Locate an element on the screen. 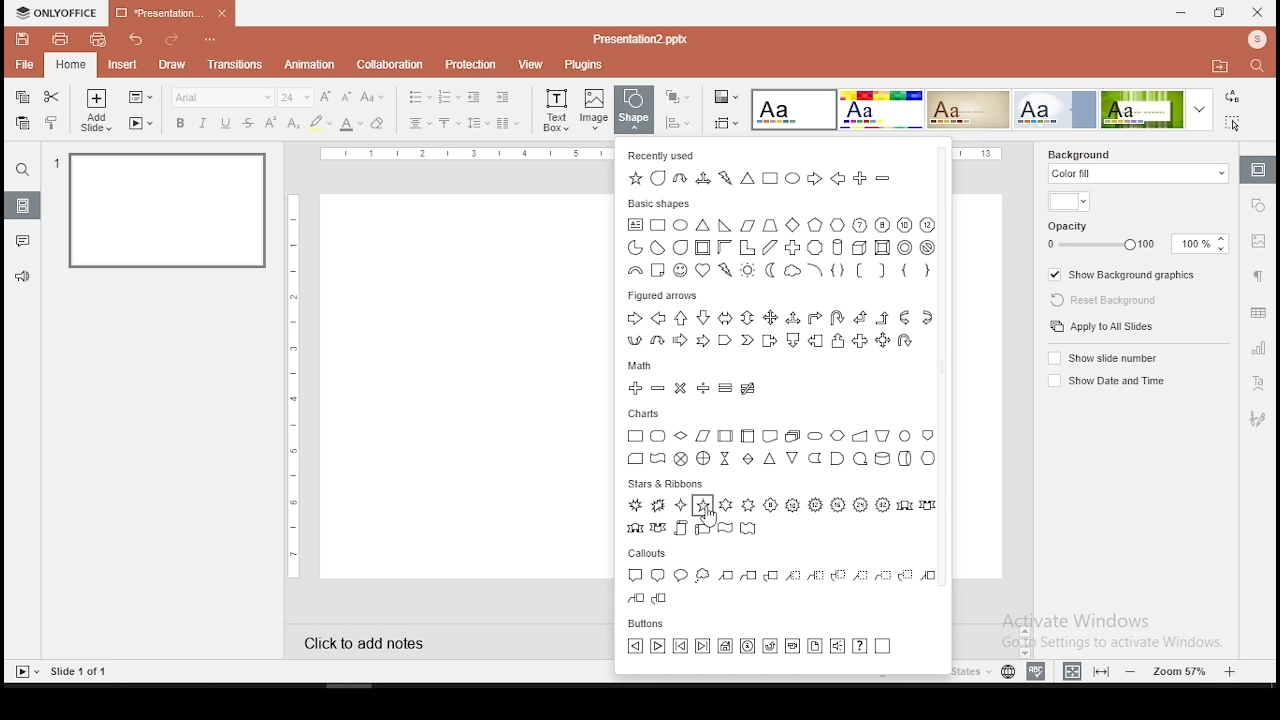  paragraph settings is located at coordinates (1257, 275).